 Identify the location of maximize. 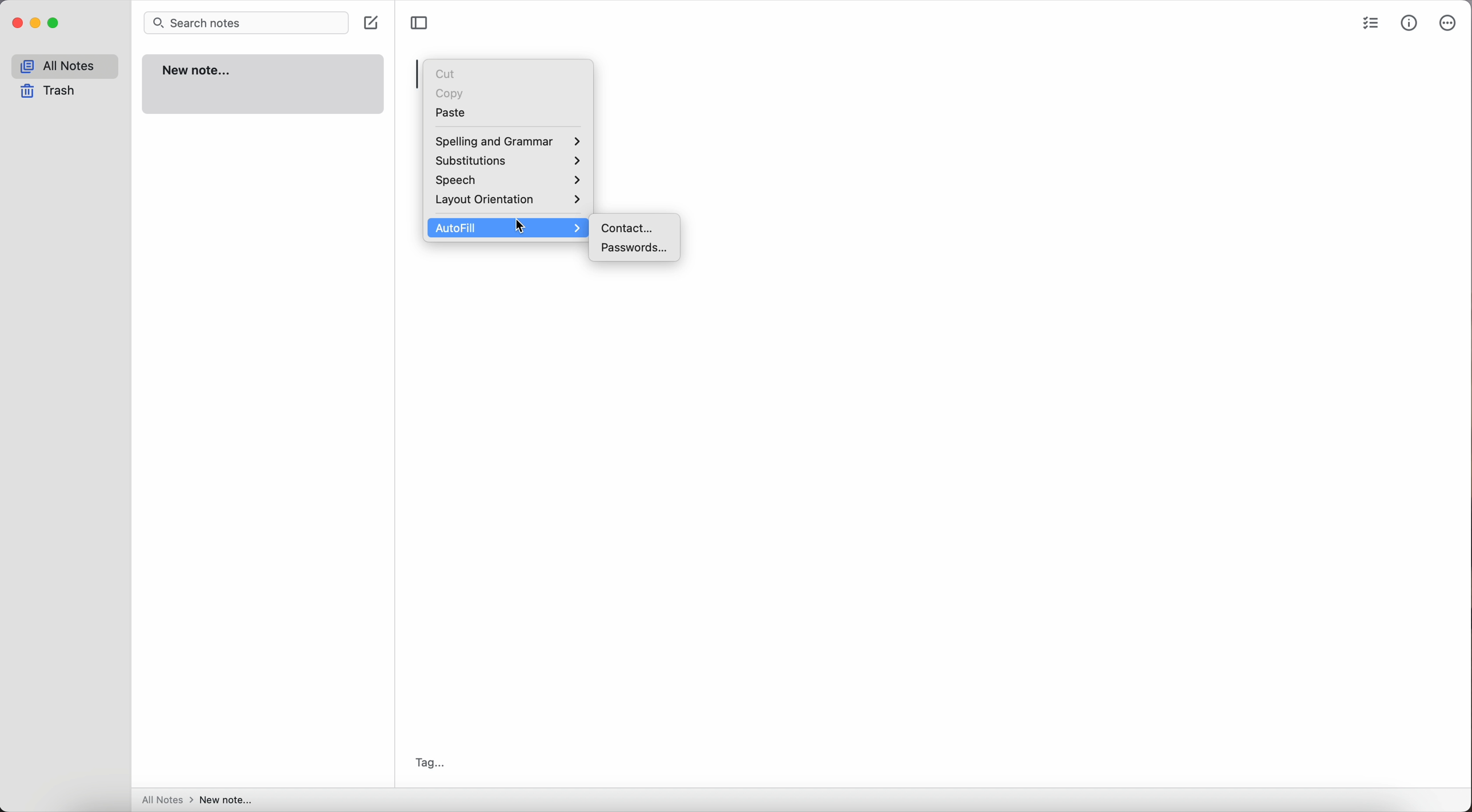
(55, 23).